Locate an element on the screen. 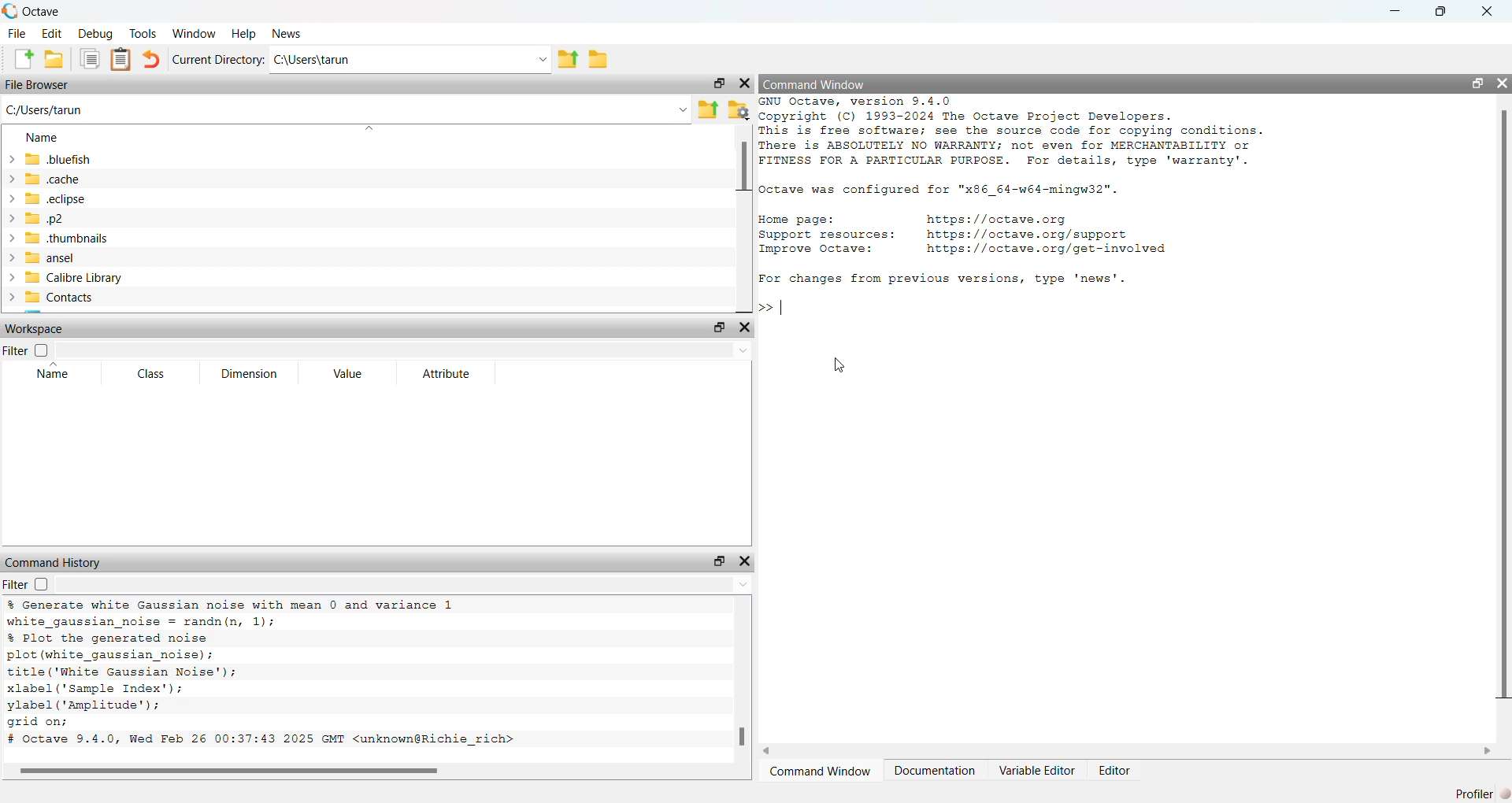  News is located at coordinates (291, 33).